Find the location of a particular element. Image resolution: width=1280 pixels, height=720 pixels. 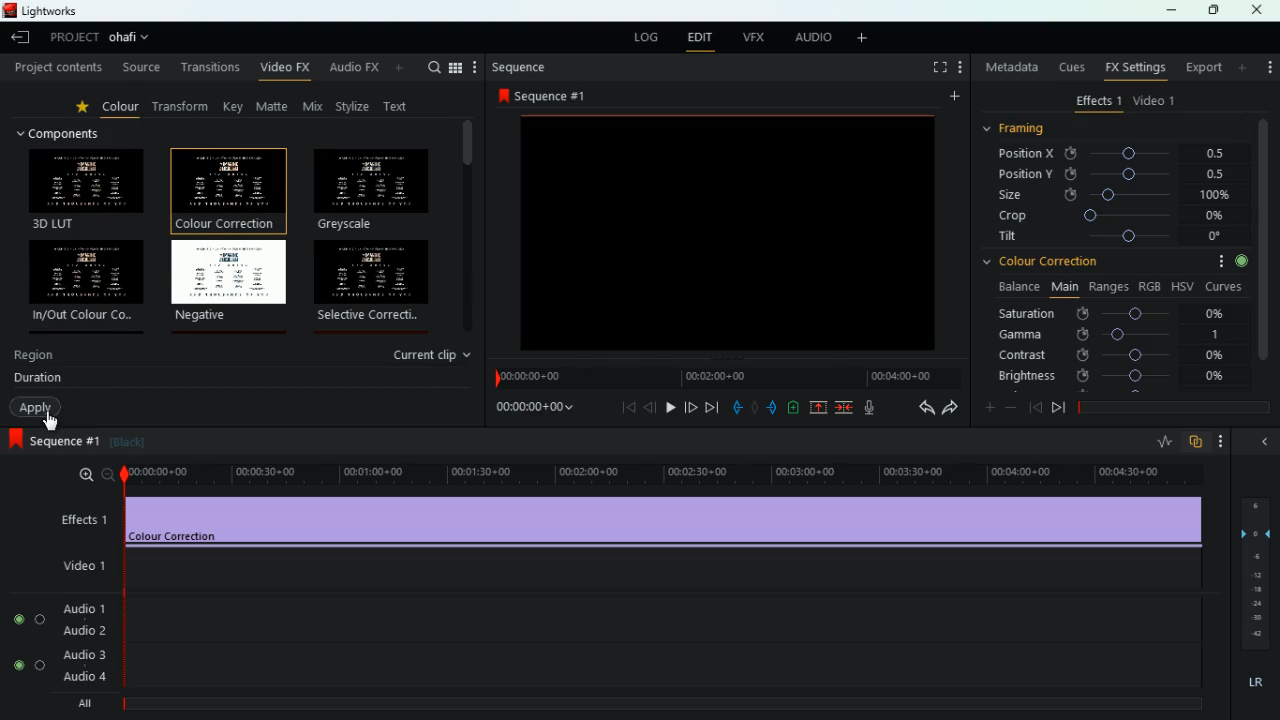

vfx is located at coordinates (755, 38).